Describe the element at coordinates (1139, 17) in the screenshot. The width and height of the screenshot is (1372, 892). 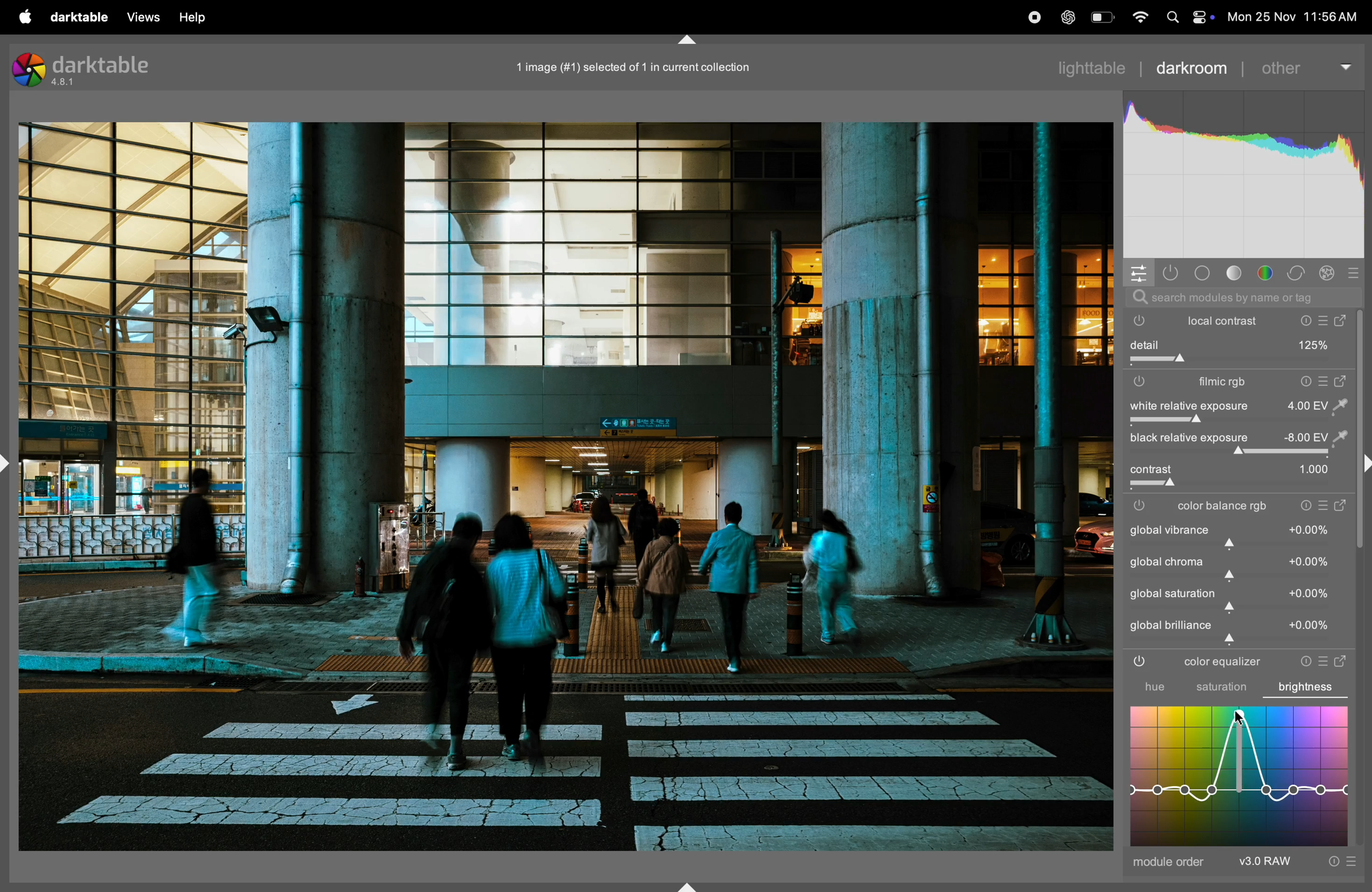
I see `wifi` at that location.